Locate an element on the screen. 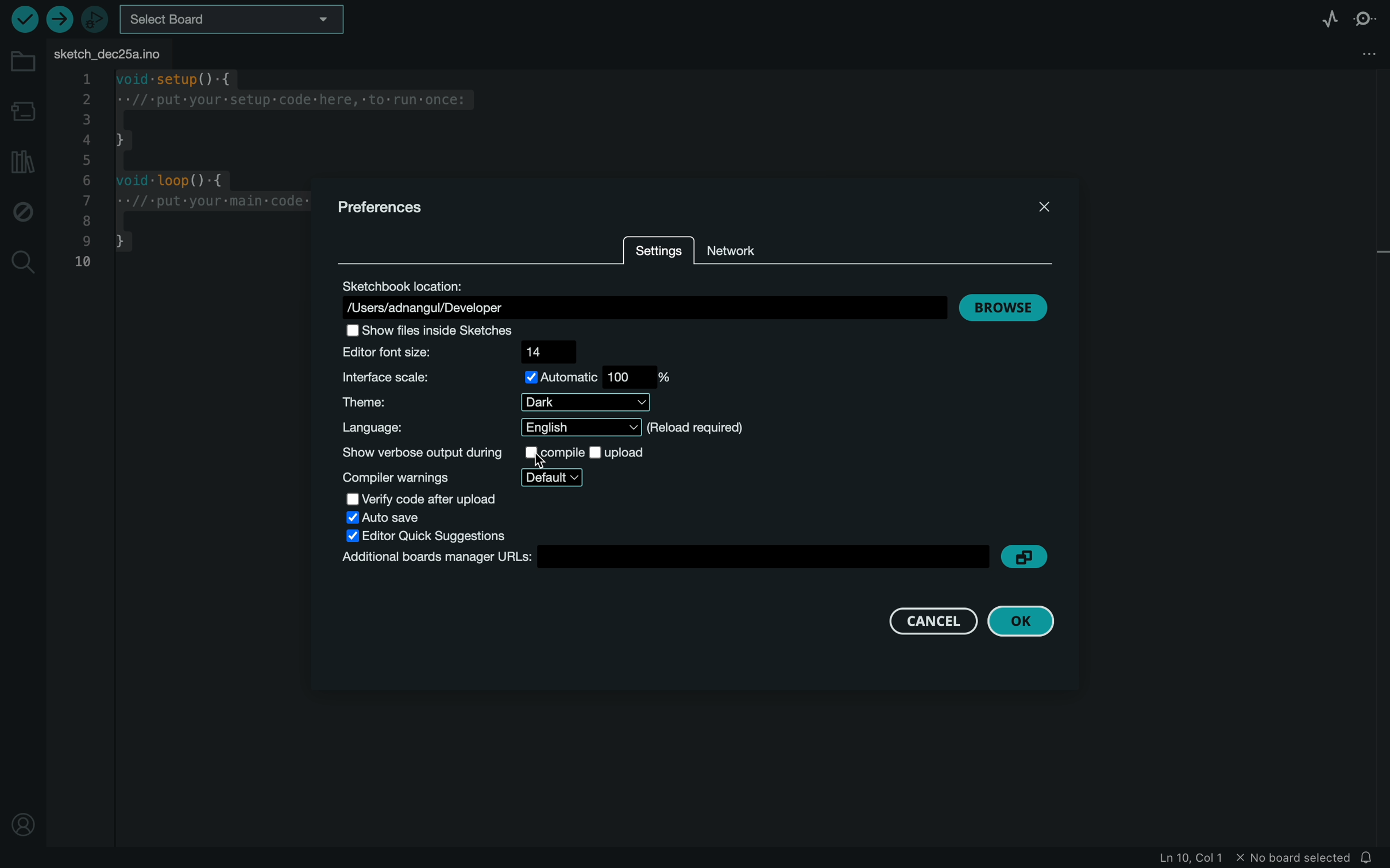  compiler is located at coordinates (477, 475).